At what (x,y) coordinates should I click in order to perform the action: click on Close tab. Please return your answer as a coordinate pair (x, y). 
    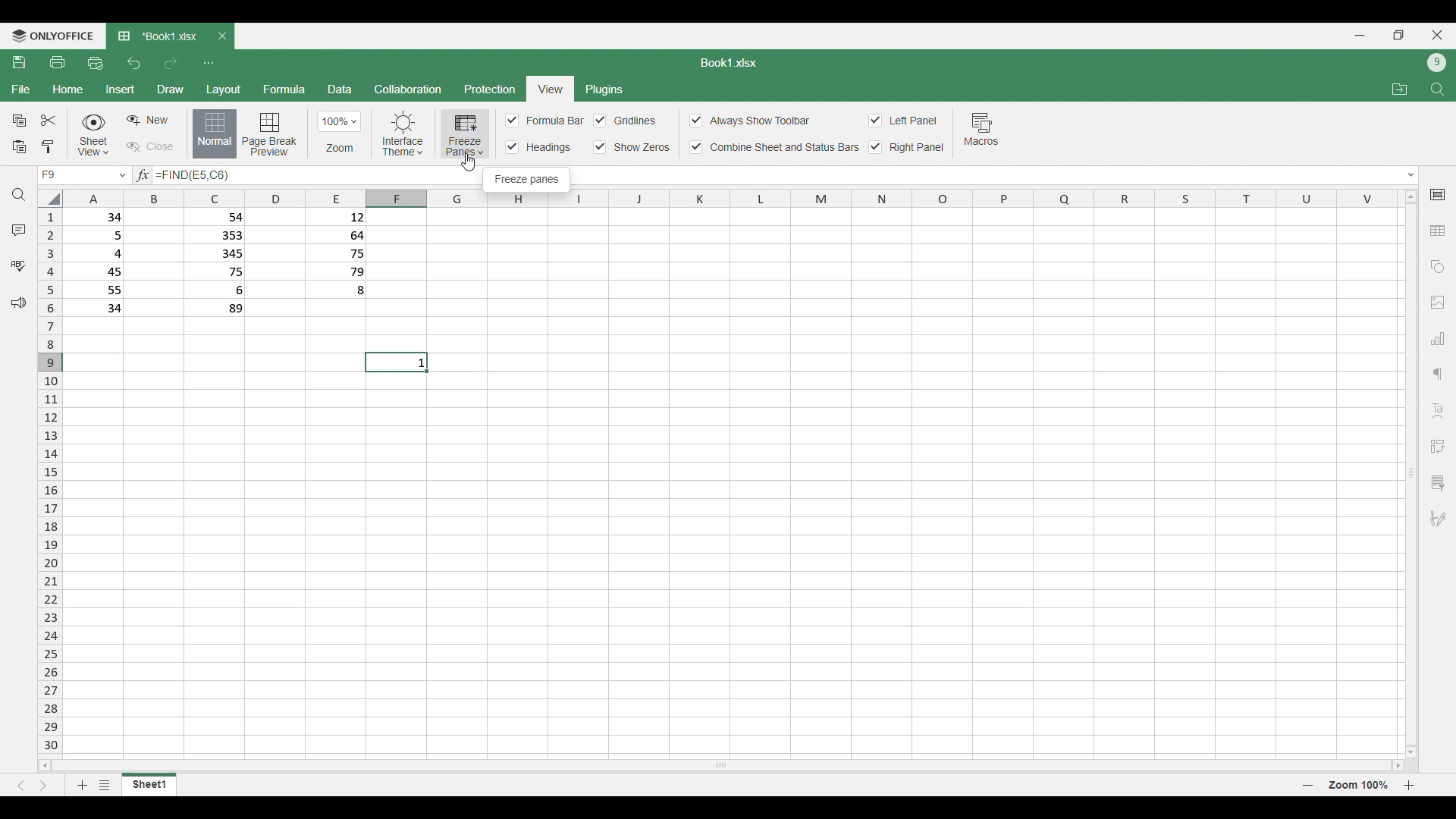
    Looking at the image, I should click on (222, 36).